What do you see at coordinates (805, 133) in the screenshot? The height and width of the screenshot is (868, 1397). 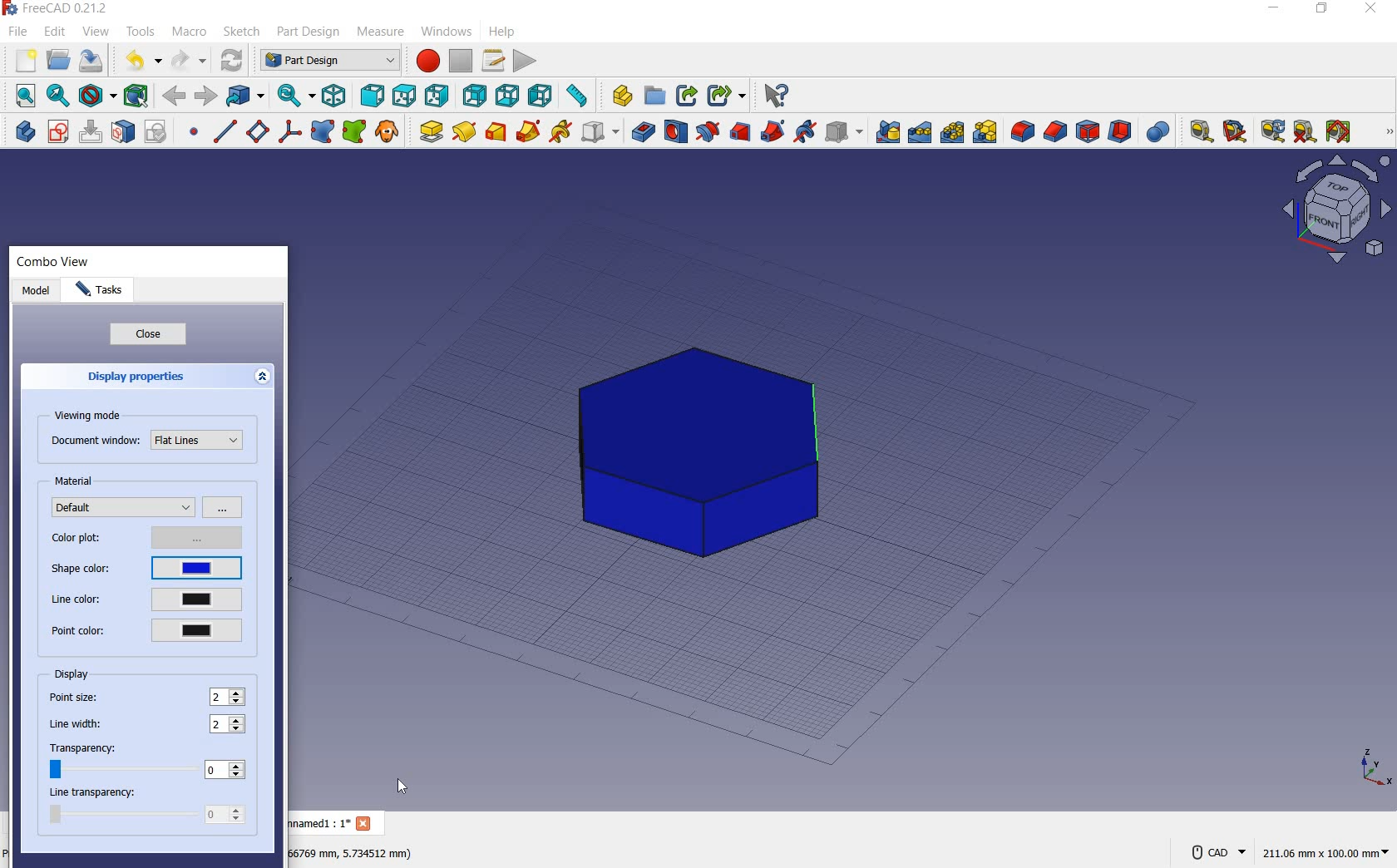 I see `subtractive helix` at bounding box center [805, 133].